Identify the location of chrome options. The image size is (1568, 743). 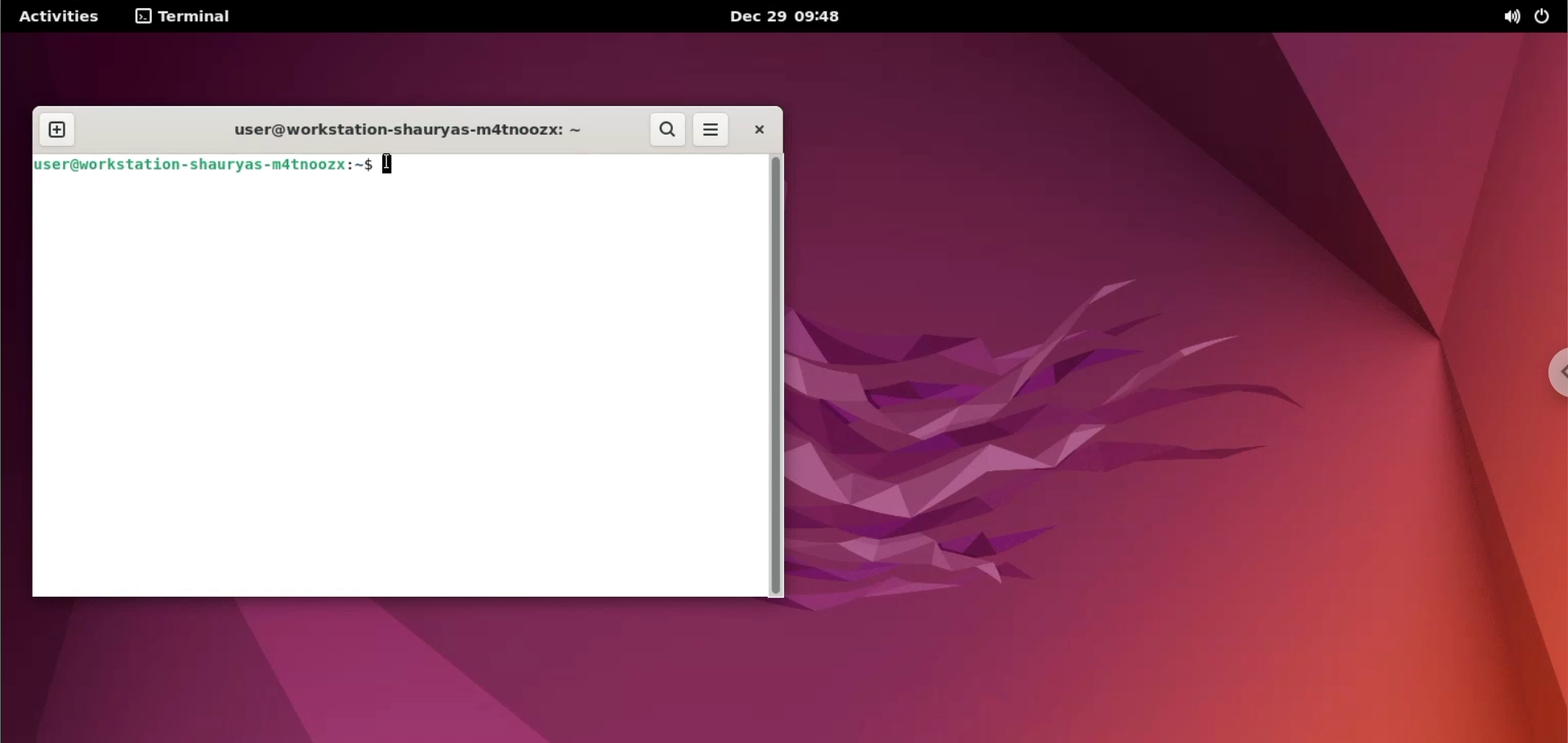
(1545, 380).